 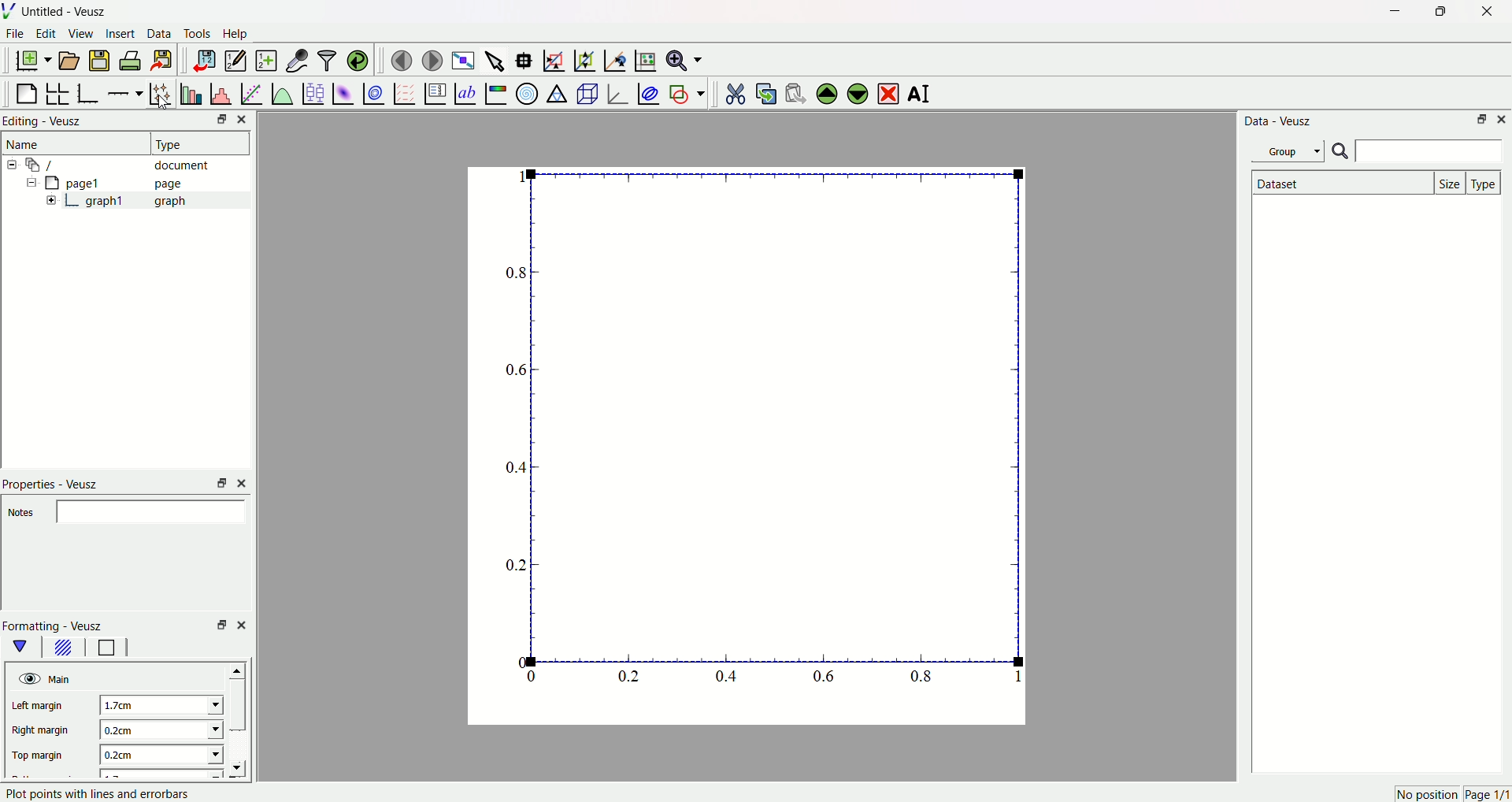 What do you see at coordinates (372, 93) in the screenshot?
I see `plot 2d datasets as contours` at bounding box center [372, 93].